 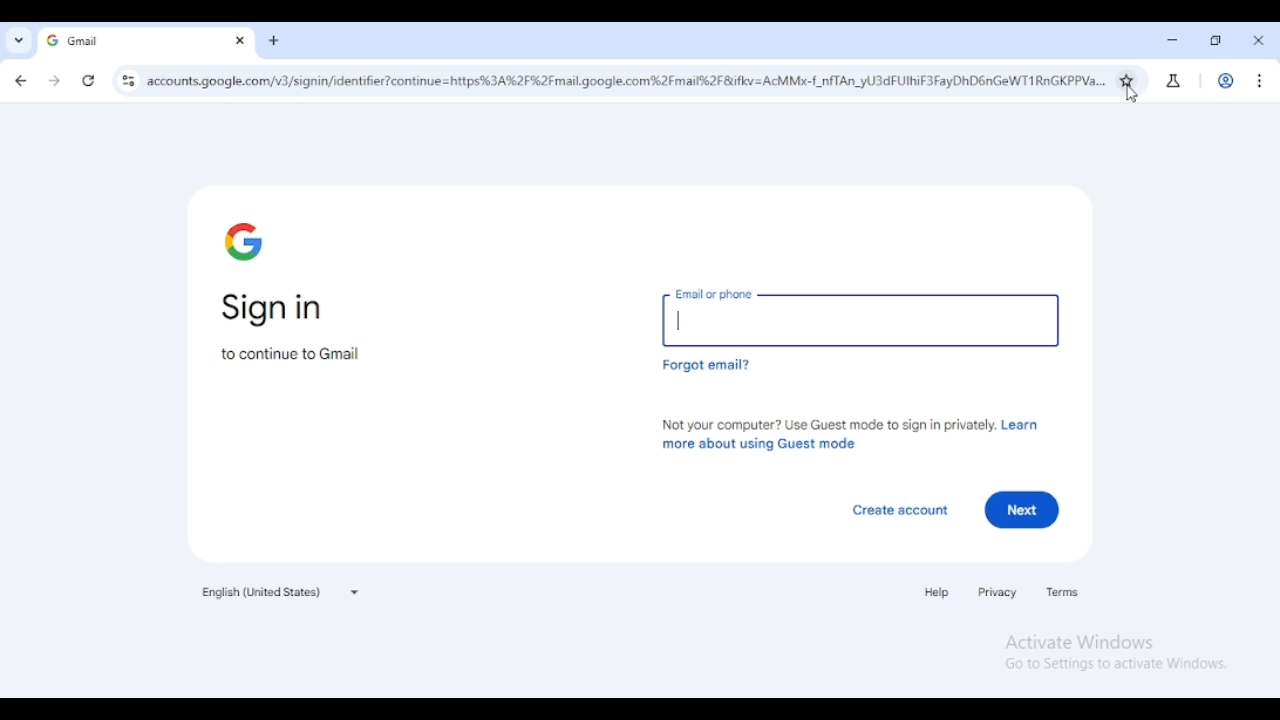 I want to click on sign in to continue to Gmail, so click(x=294, y=328).